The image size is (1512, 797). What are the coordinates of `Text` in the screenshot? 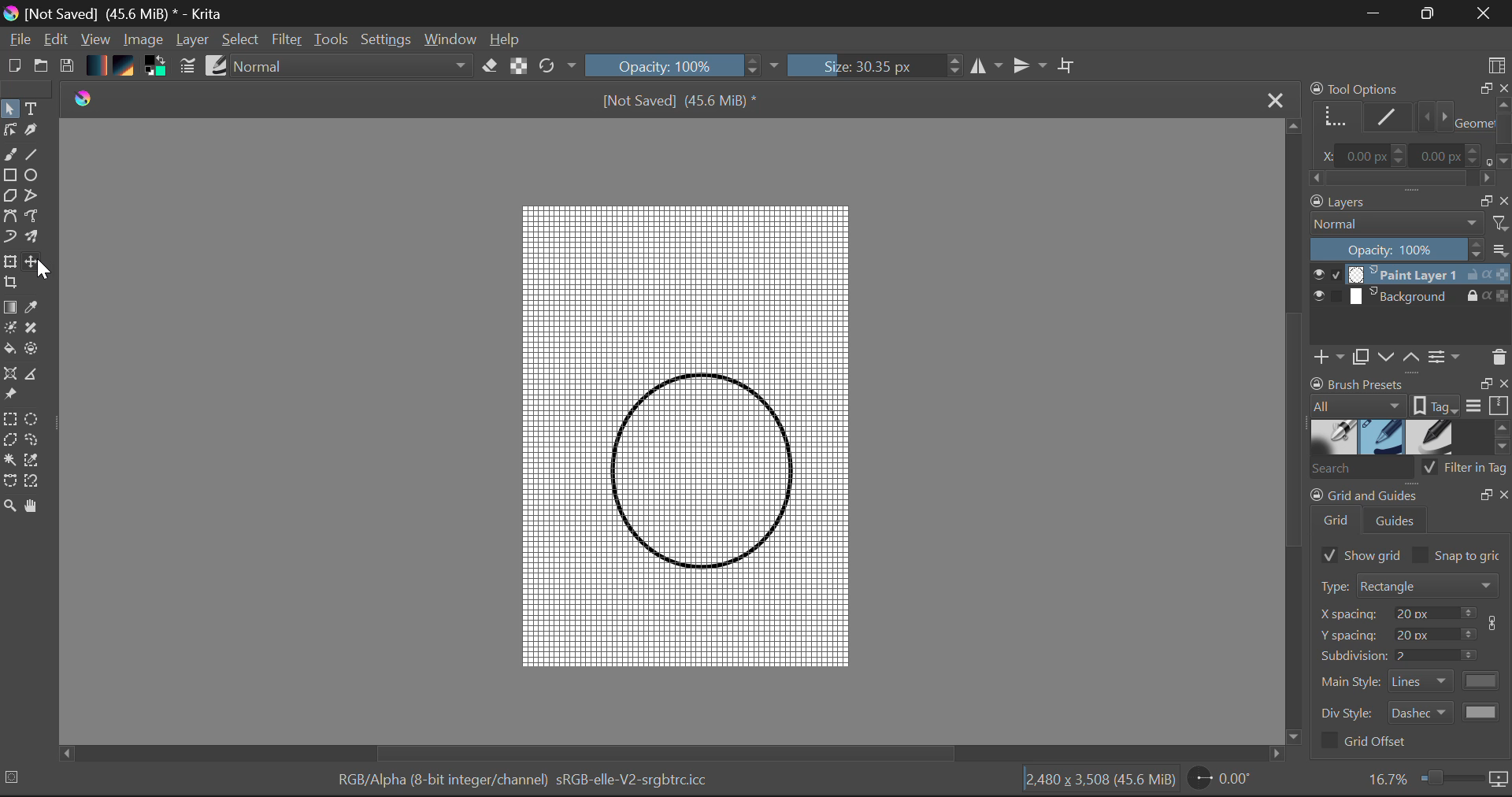 It's located at (32, 108).